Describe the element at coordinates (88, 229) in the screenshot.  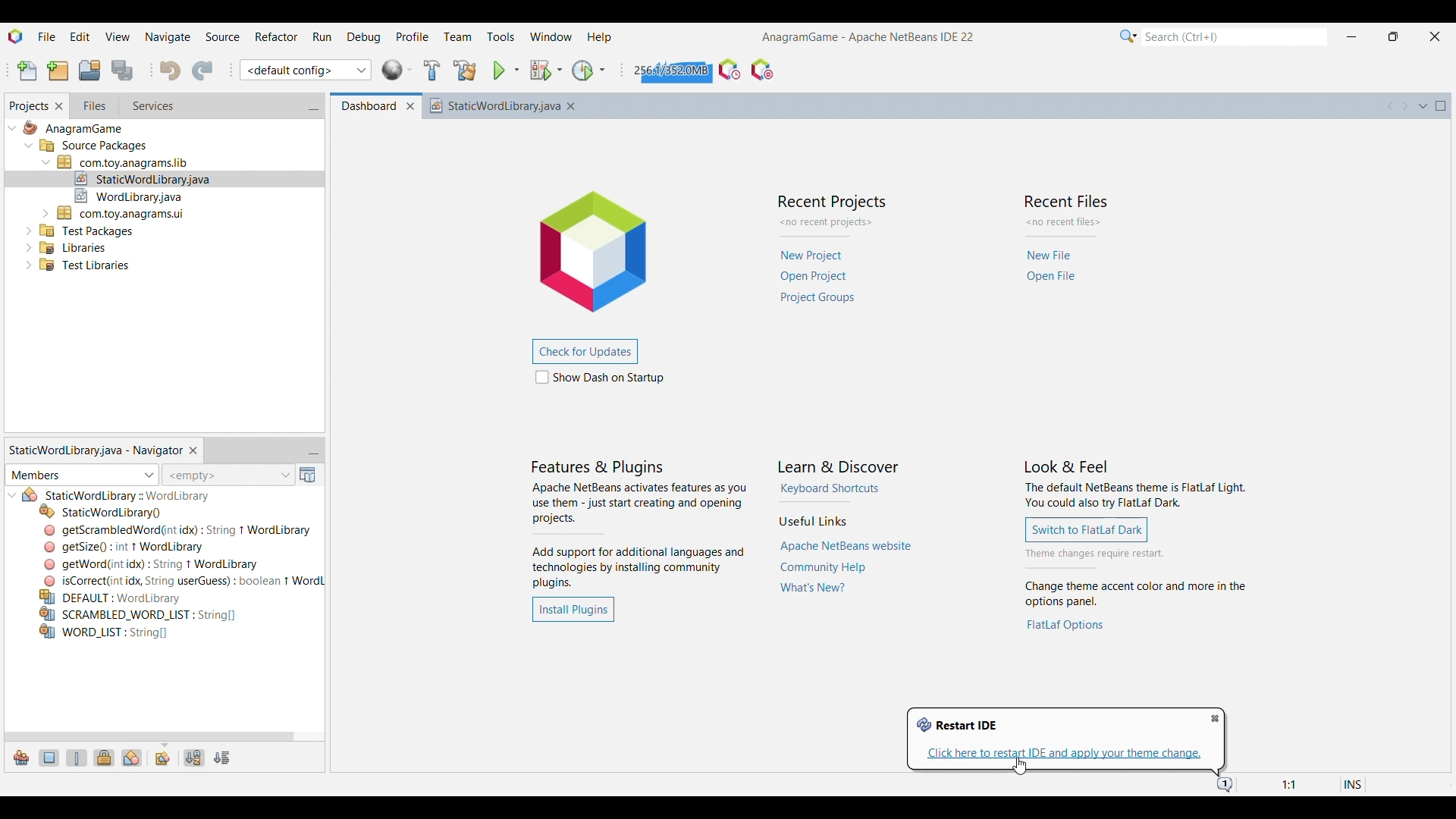
I see `` at that location.